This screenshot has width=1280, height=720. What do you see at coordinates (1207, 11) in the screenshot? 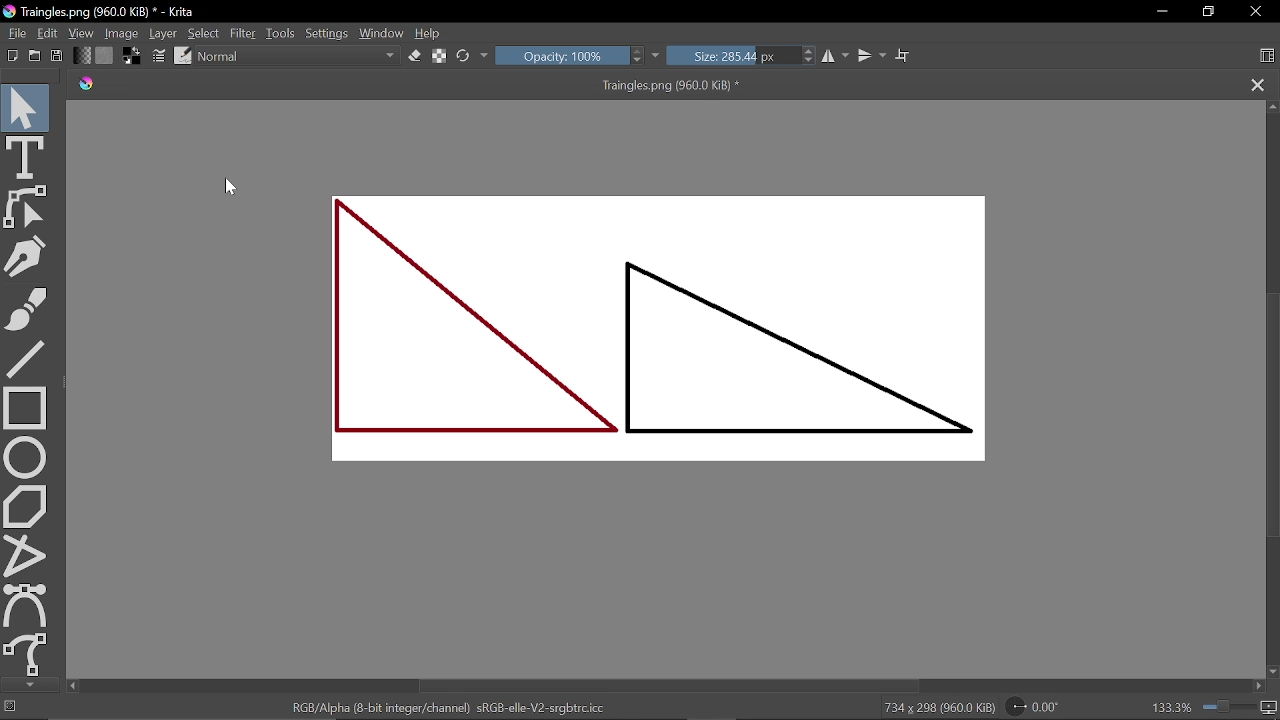
I see `Restore down` at bounding box center [1207, 11].